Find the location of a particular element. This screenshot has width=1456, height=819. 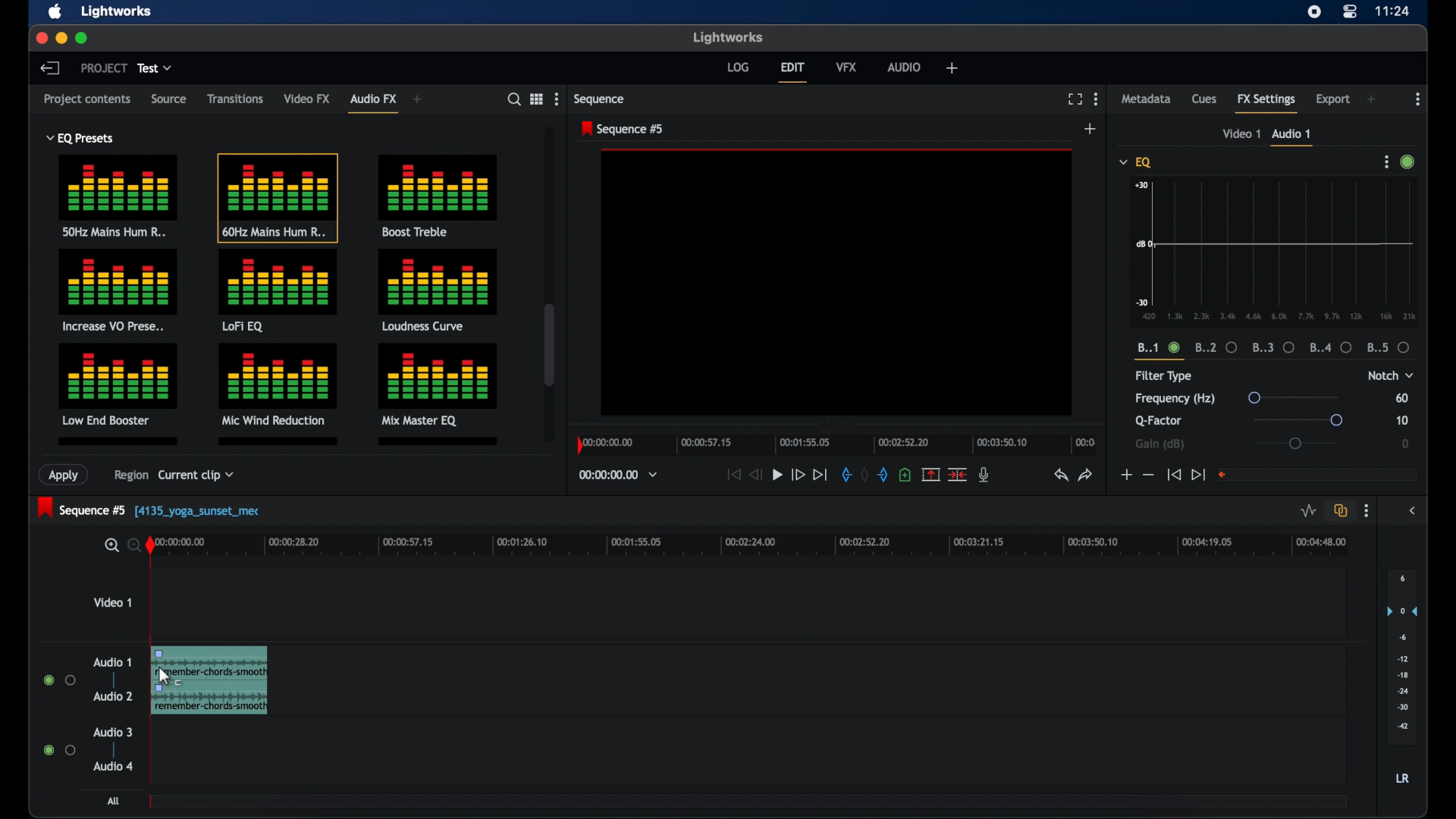

lofi eq is located at coordinates (278, 291).